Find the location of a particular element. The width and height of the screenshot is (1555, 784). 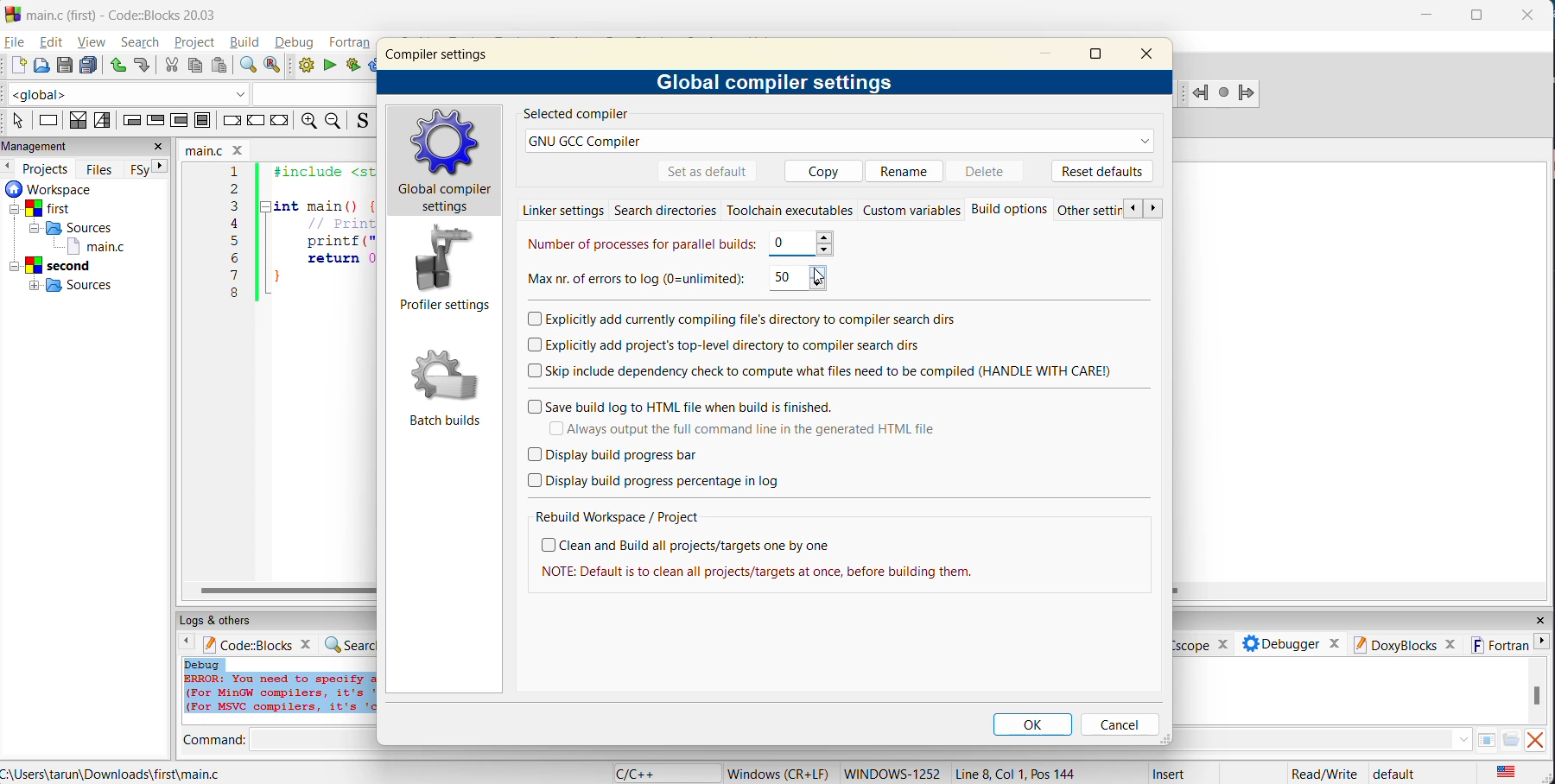

selected compiler is located at coordinates (581, 116).